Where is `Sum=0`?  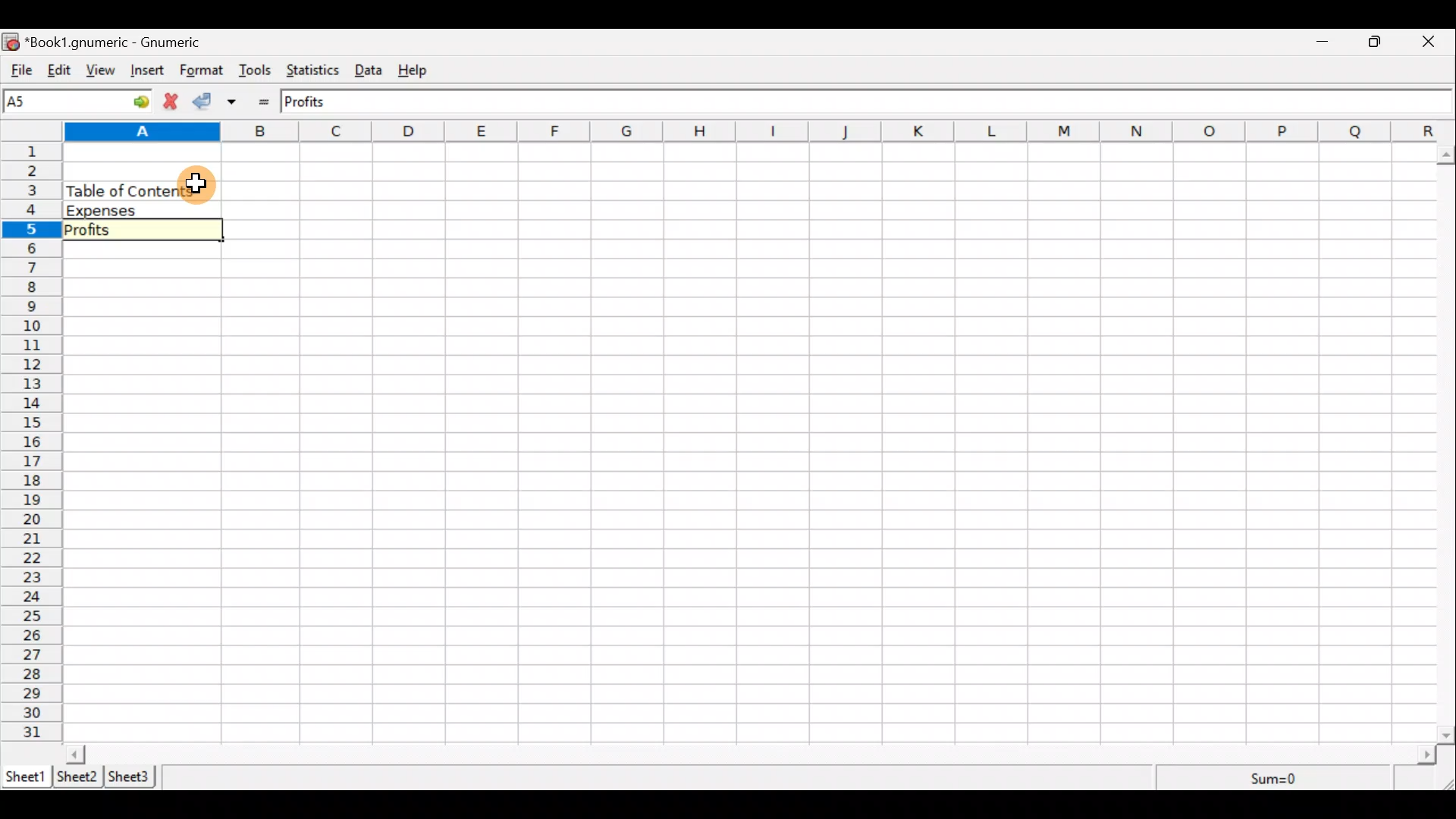
Sum=0 is located at coordinates (1276, 780).